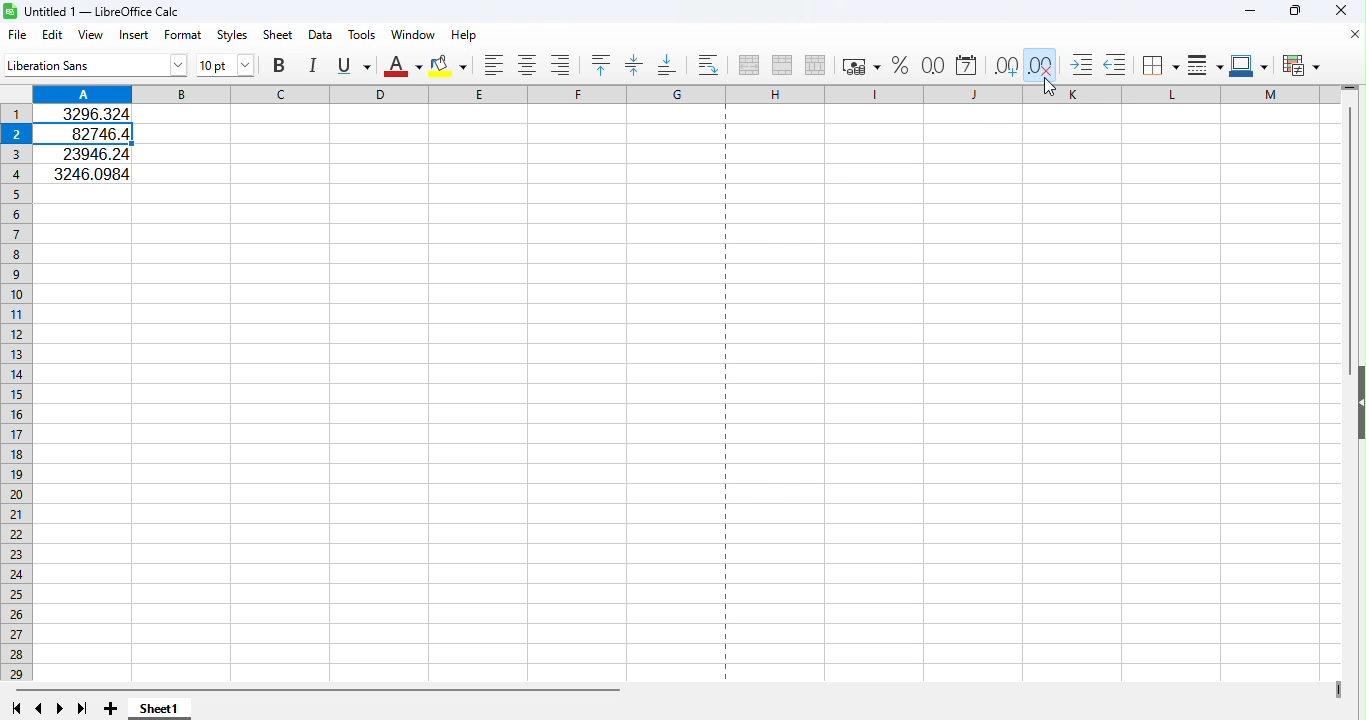 The image size is (1366, 720). Describe the element at coordinates (18, 392) in the screenshot. I see `Rows` at that location.